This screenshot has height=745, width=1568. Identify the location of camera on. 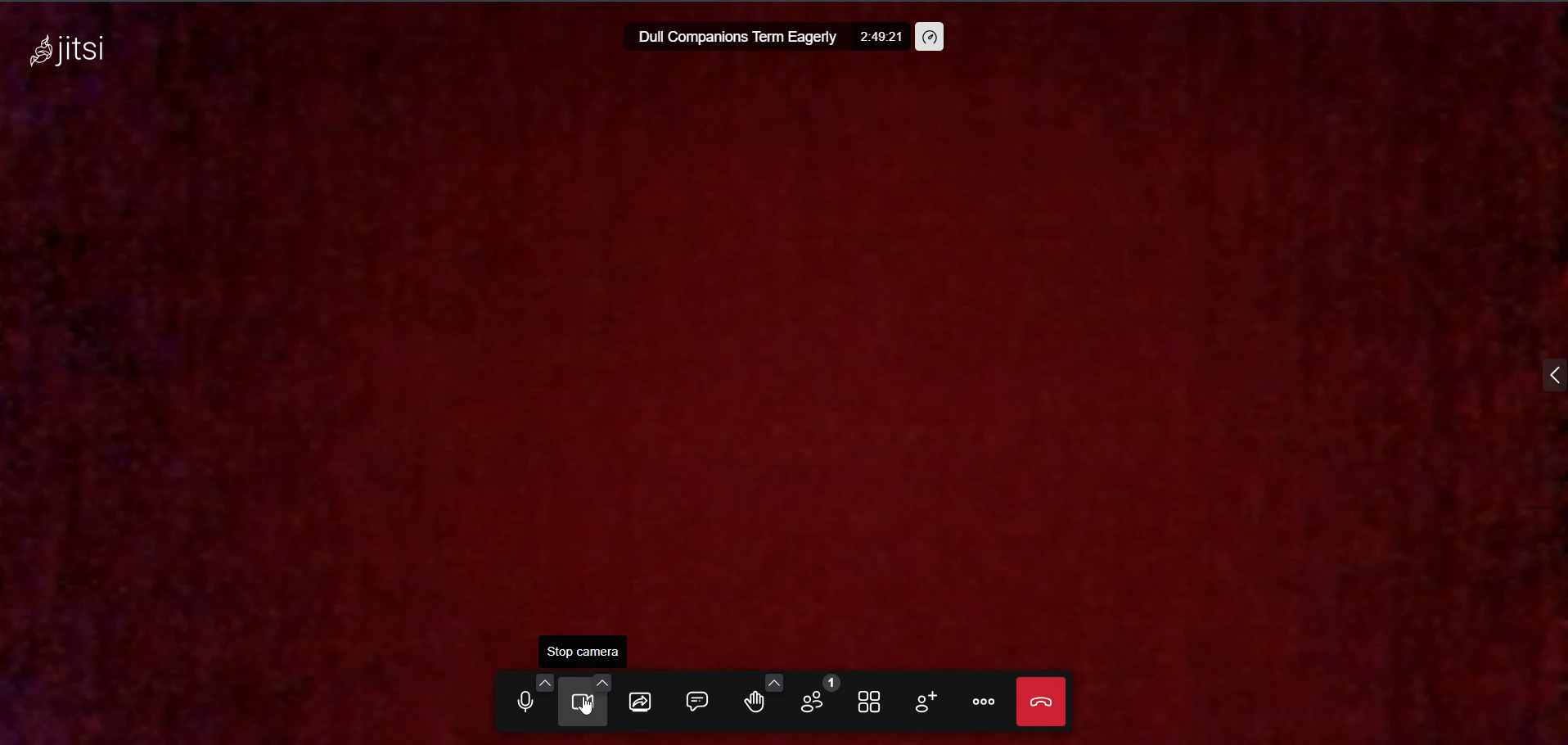
(578, 702).